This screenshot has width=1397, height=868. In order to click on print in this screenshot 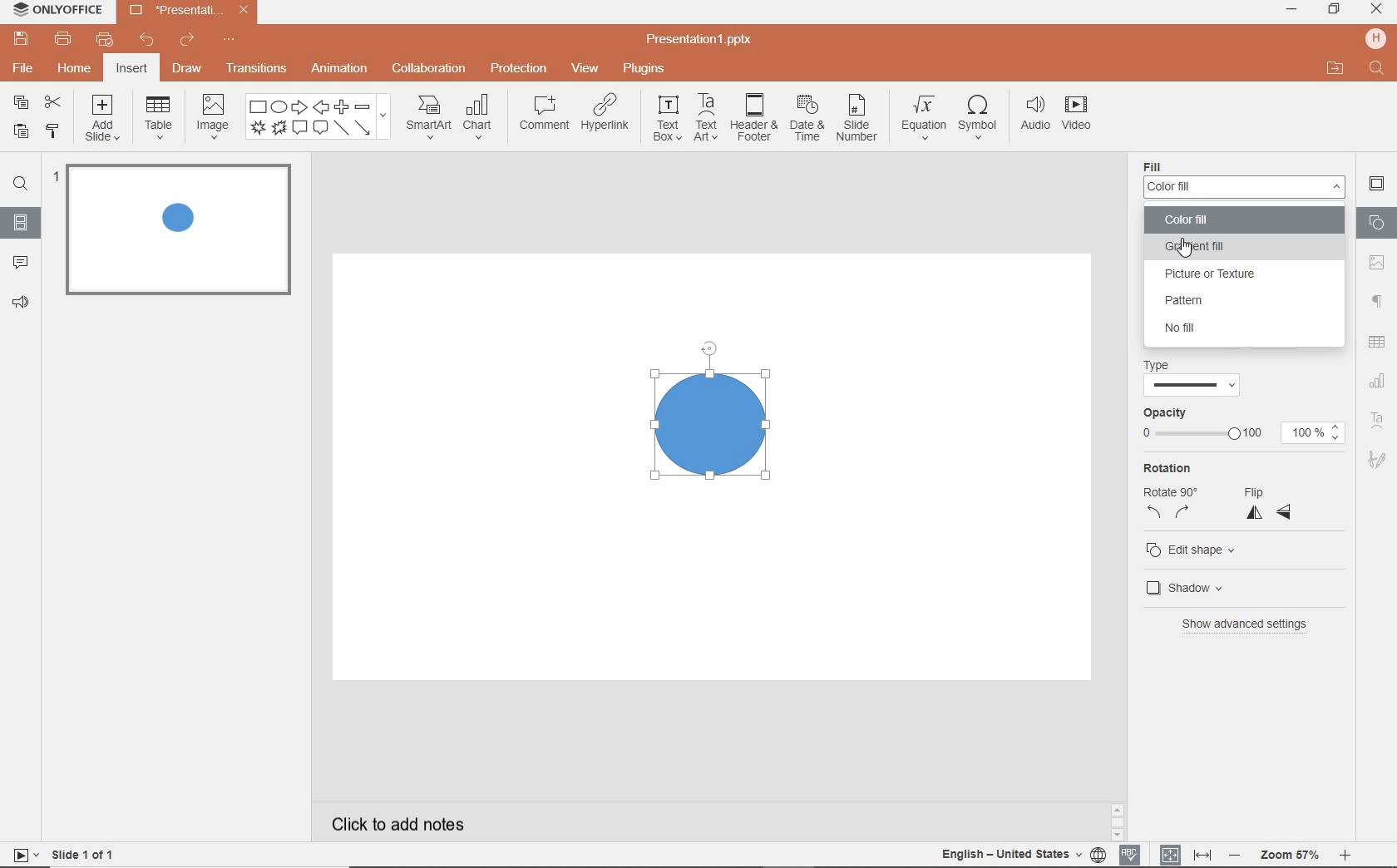, I will do `click(64, 38)`.